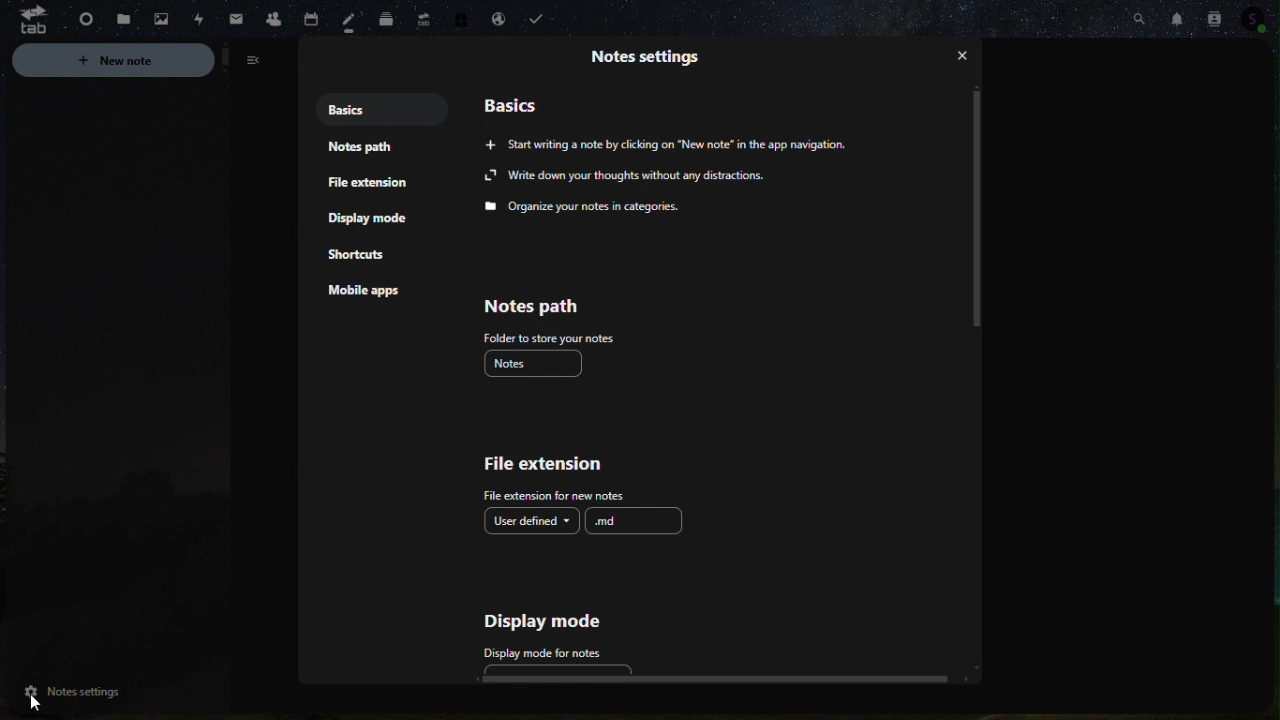 The width and height of the screenshot is (1280, 720). I want to click on horizontal scroll bar, so click(719, 681).